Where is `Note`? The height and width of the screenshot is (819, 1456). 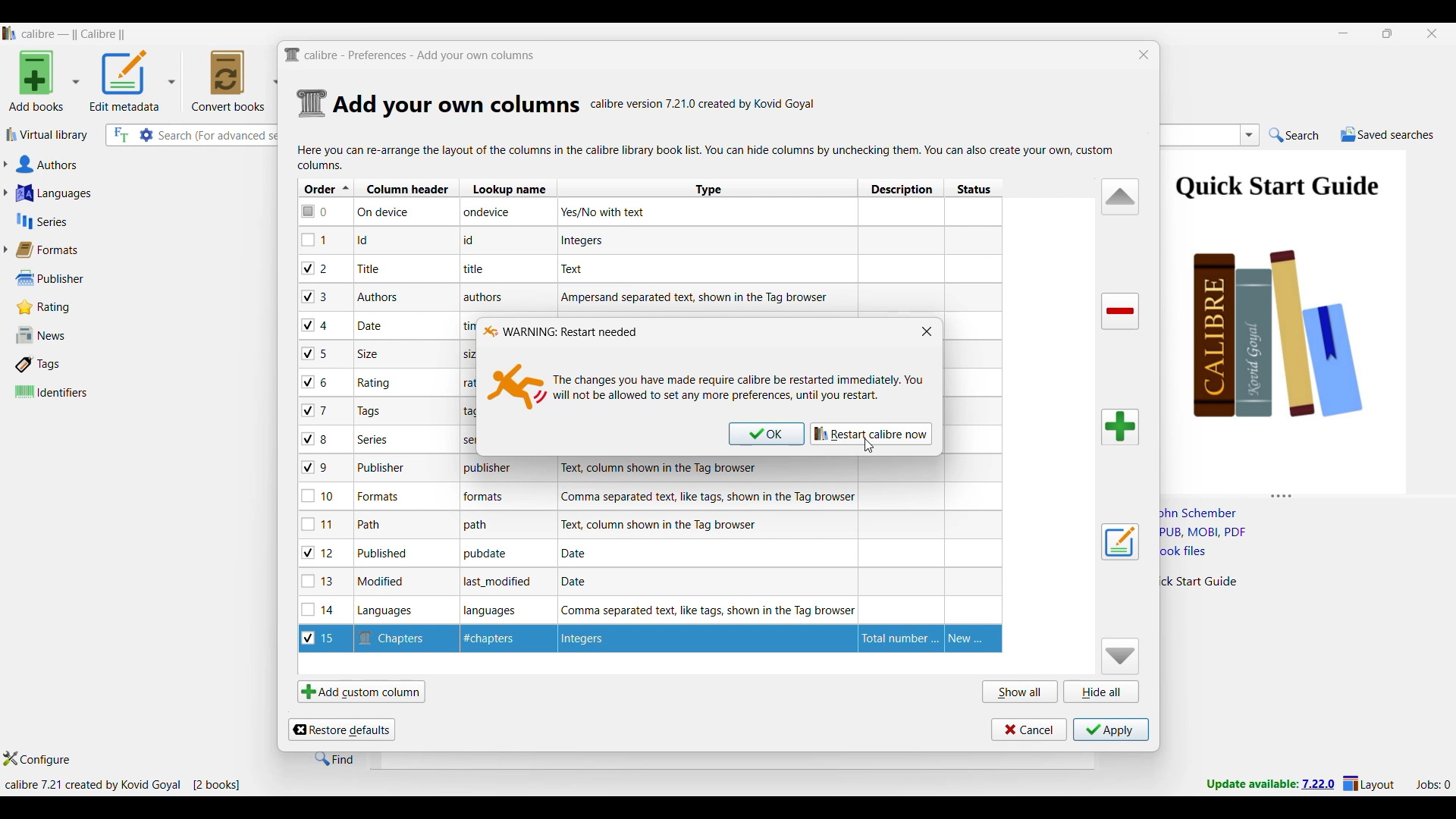 Note is located at coordinates (367, 240).